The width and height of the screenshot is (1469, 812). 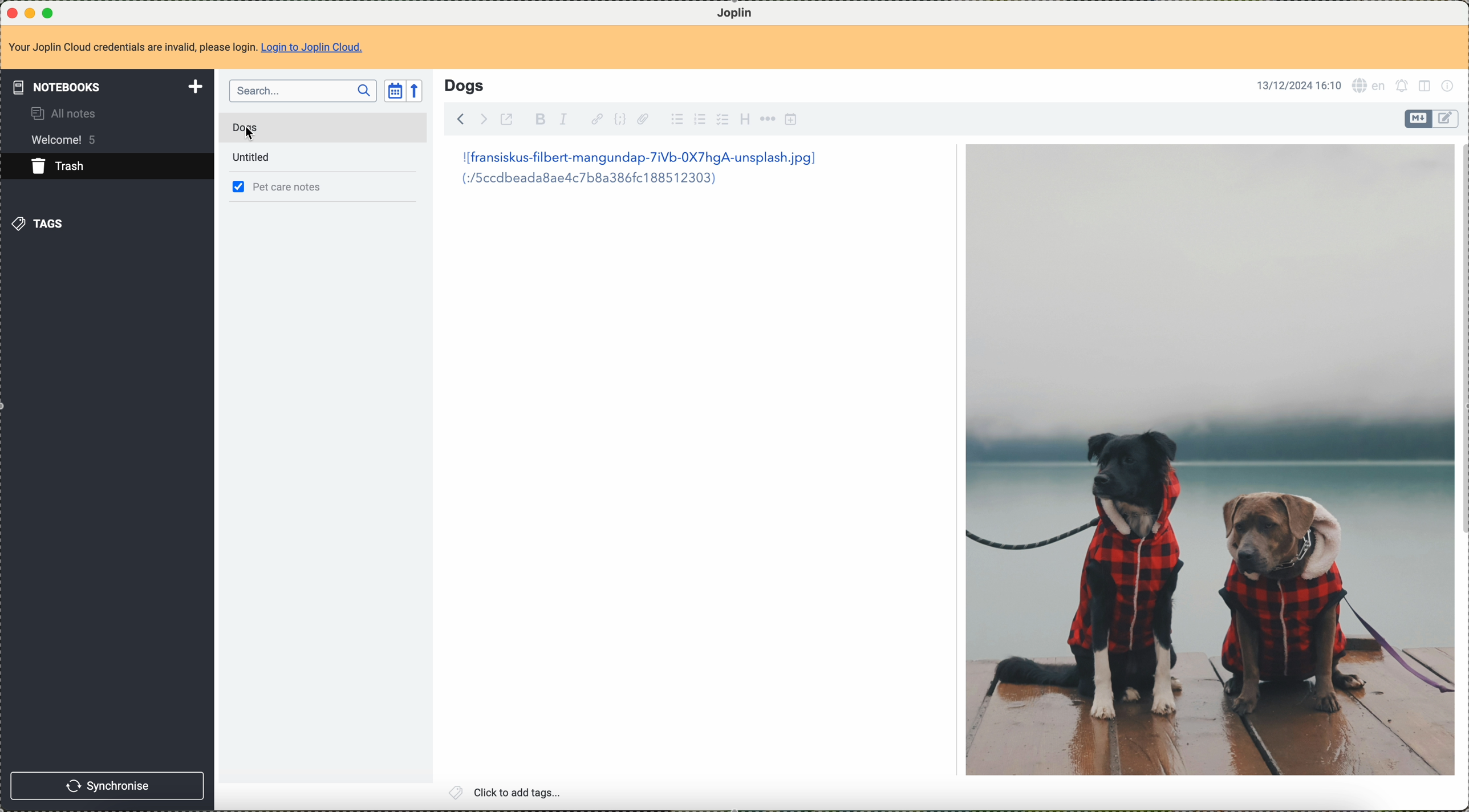 I want to click on language, so click(x=1370, y=86).